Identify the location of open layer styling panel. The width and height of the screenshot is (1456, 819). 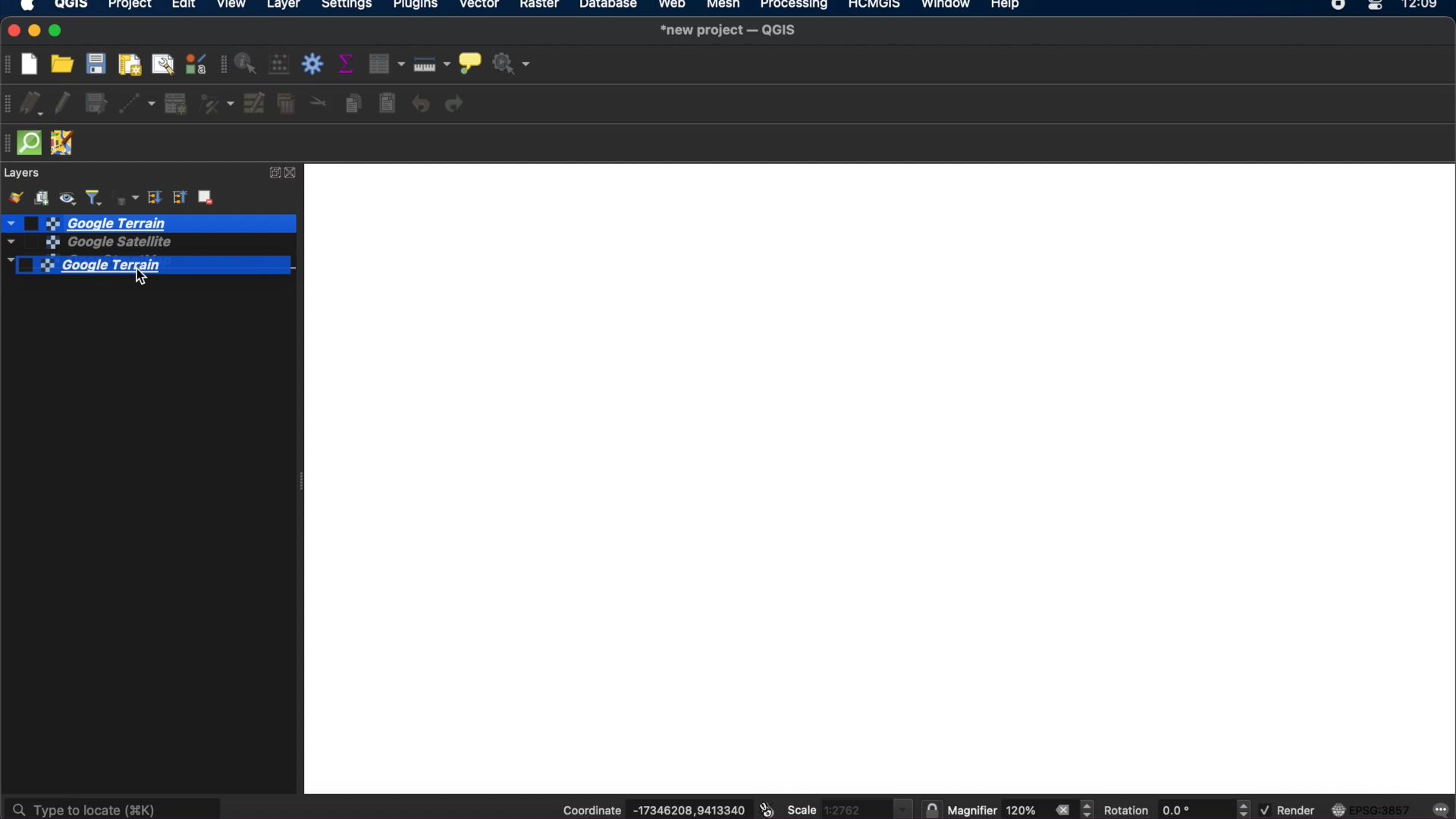
(14, 197).